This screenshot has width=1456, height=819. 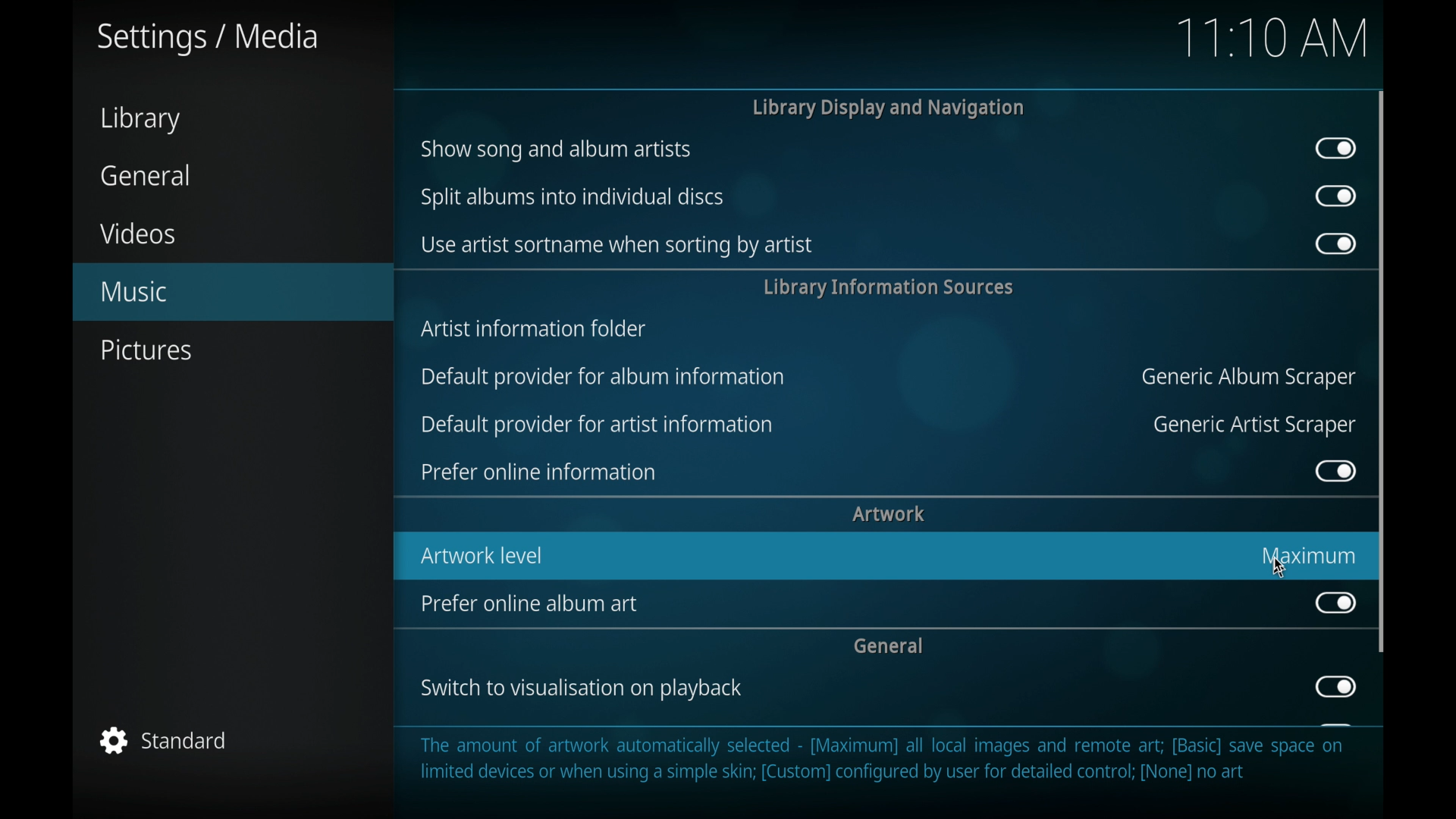 I want to click on music, so click(x=233, y=291).